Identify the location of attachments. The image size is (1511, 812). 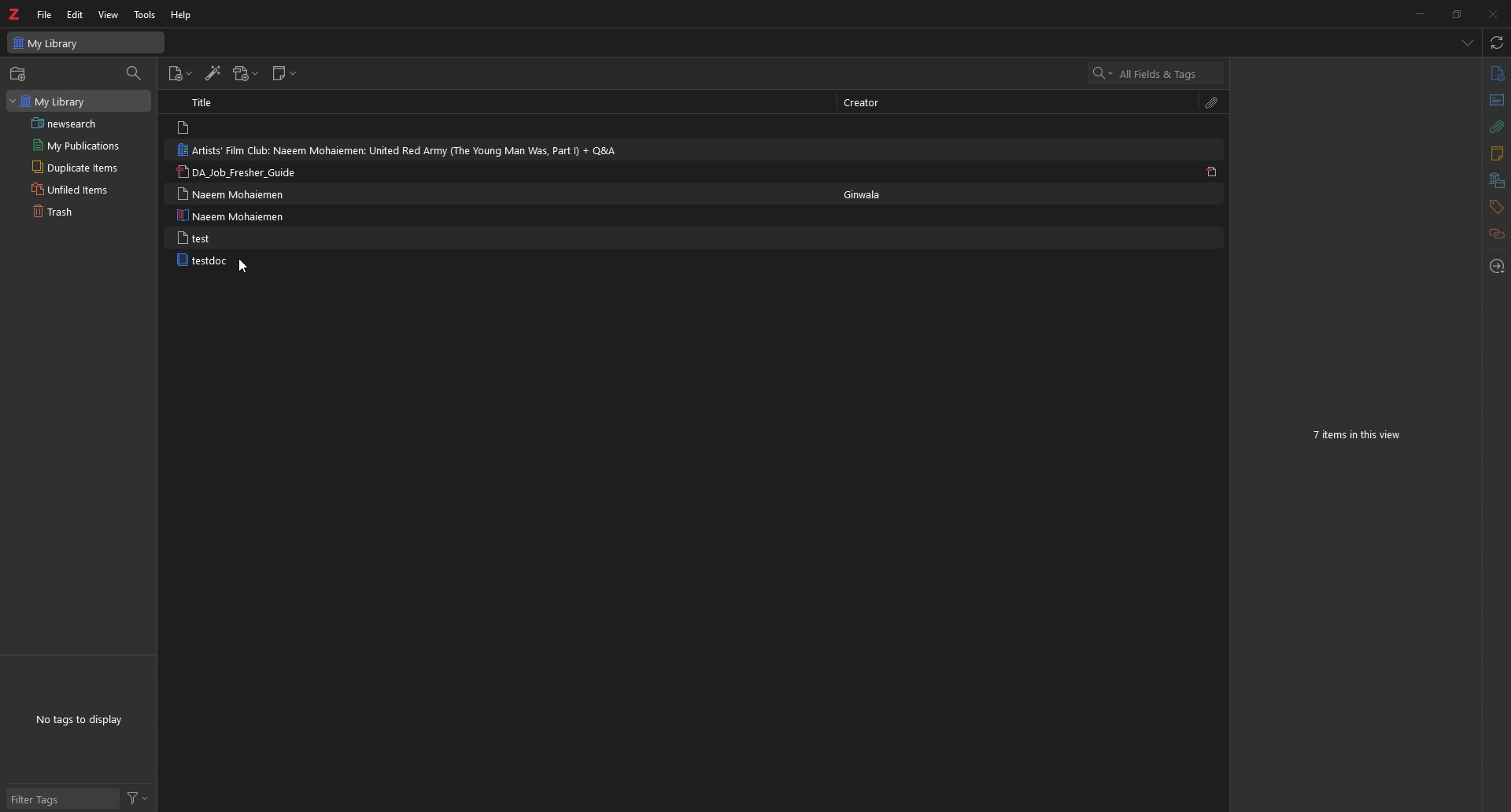
(1209, 103).